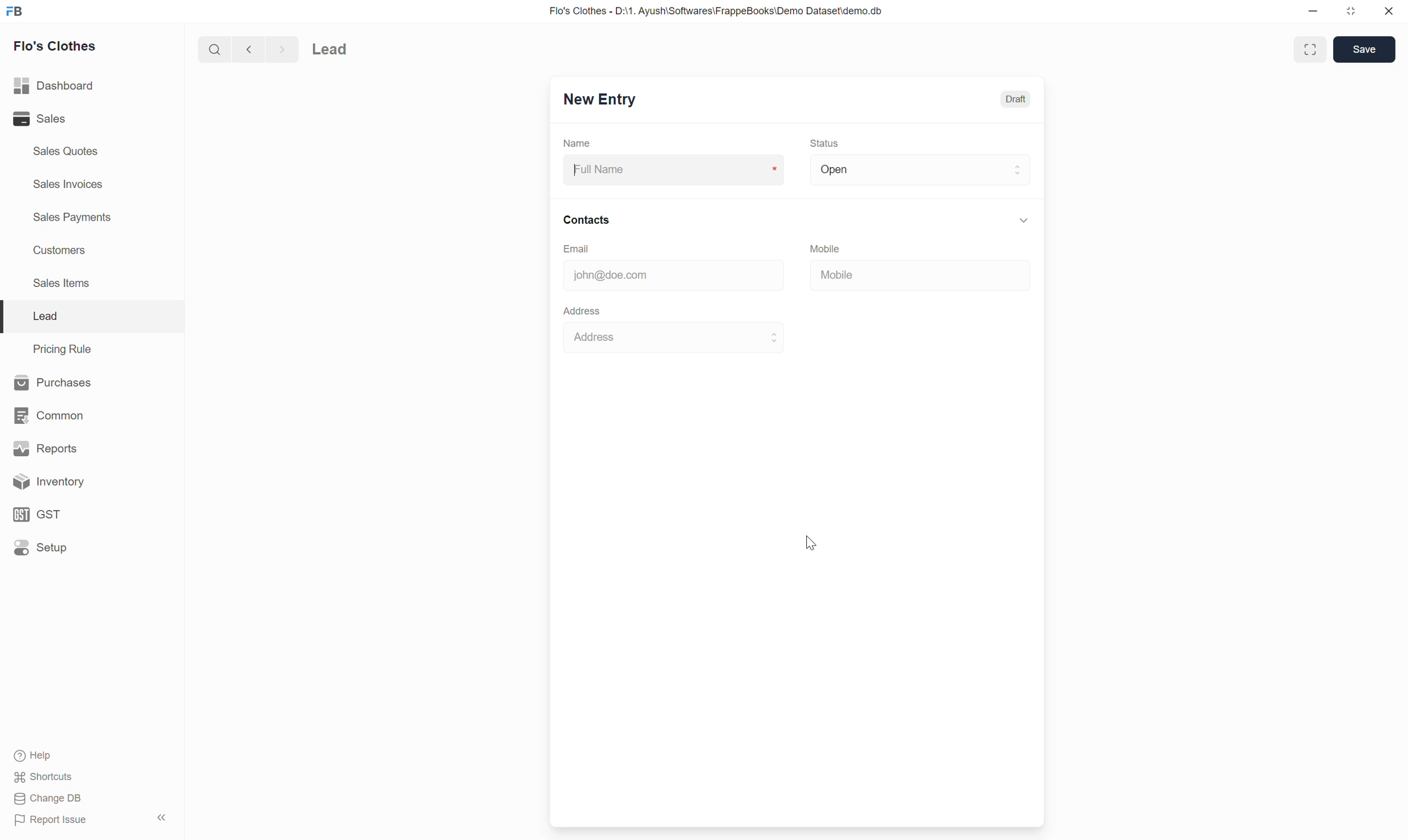 The image size is (1408, 840). What do you see at coordinates (1313, 13) in the screenshot?
I see `minimise` at bounding box center [1313, 13].